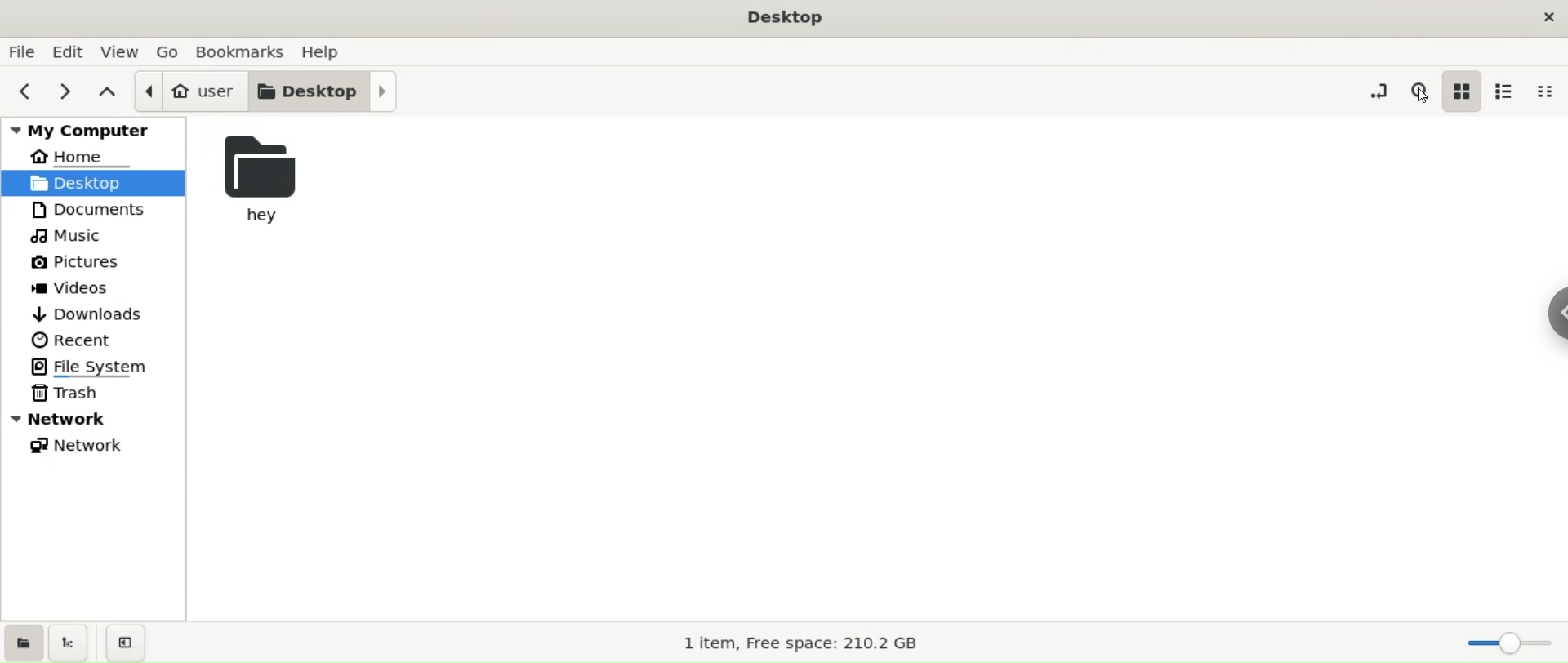  Describe the element at coordinates (1510, 91) in the screenshot. I see `list view` at that location.